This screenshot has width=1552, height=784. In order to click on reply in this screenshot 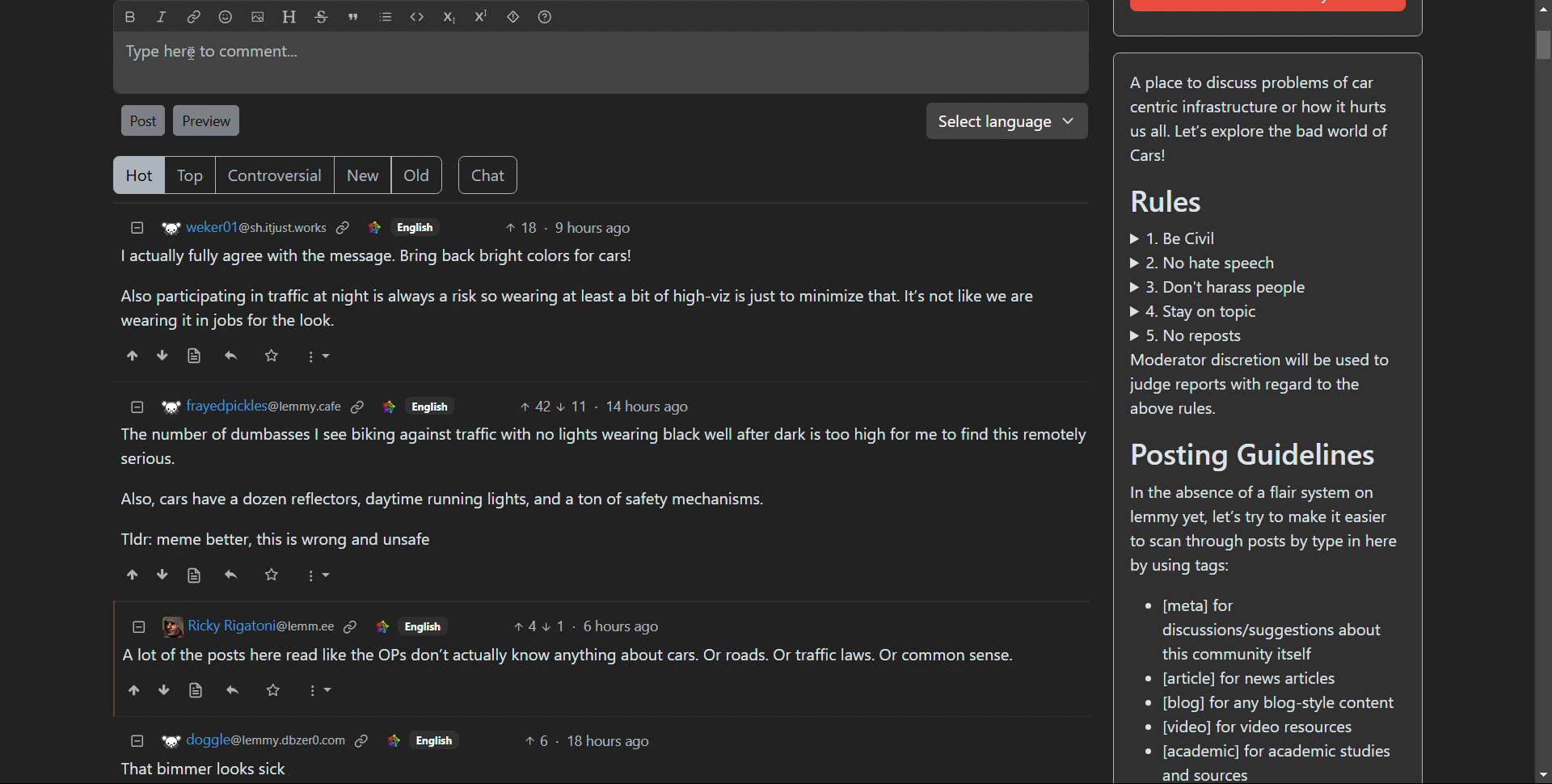, I will do `click(233, 689)`.